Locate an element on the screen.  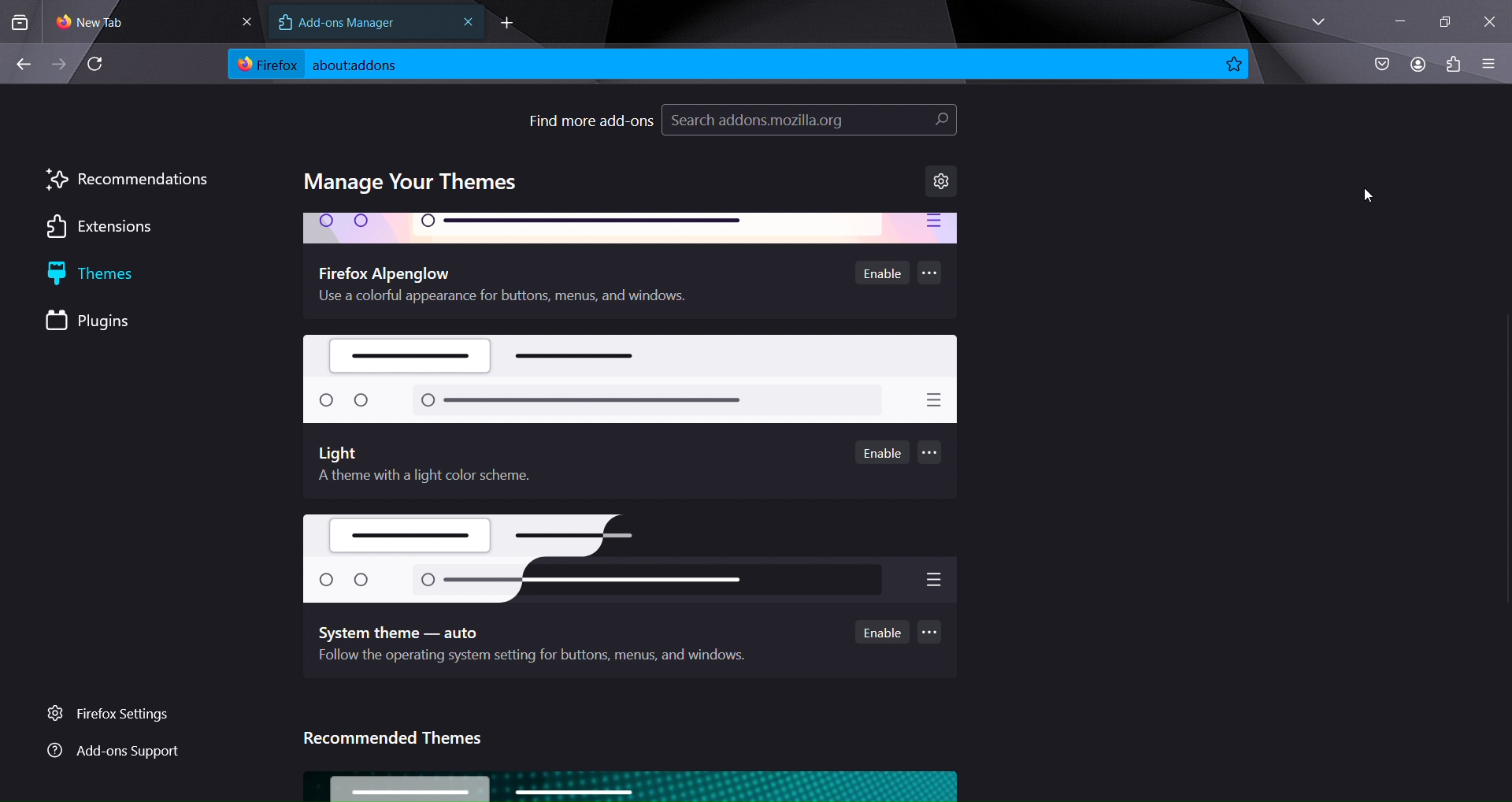
bookmark page is located at coordinates (1234, 64).